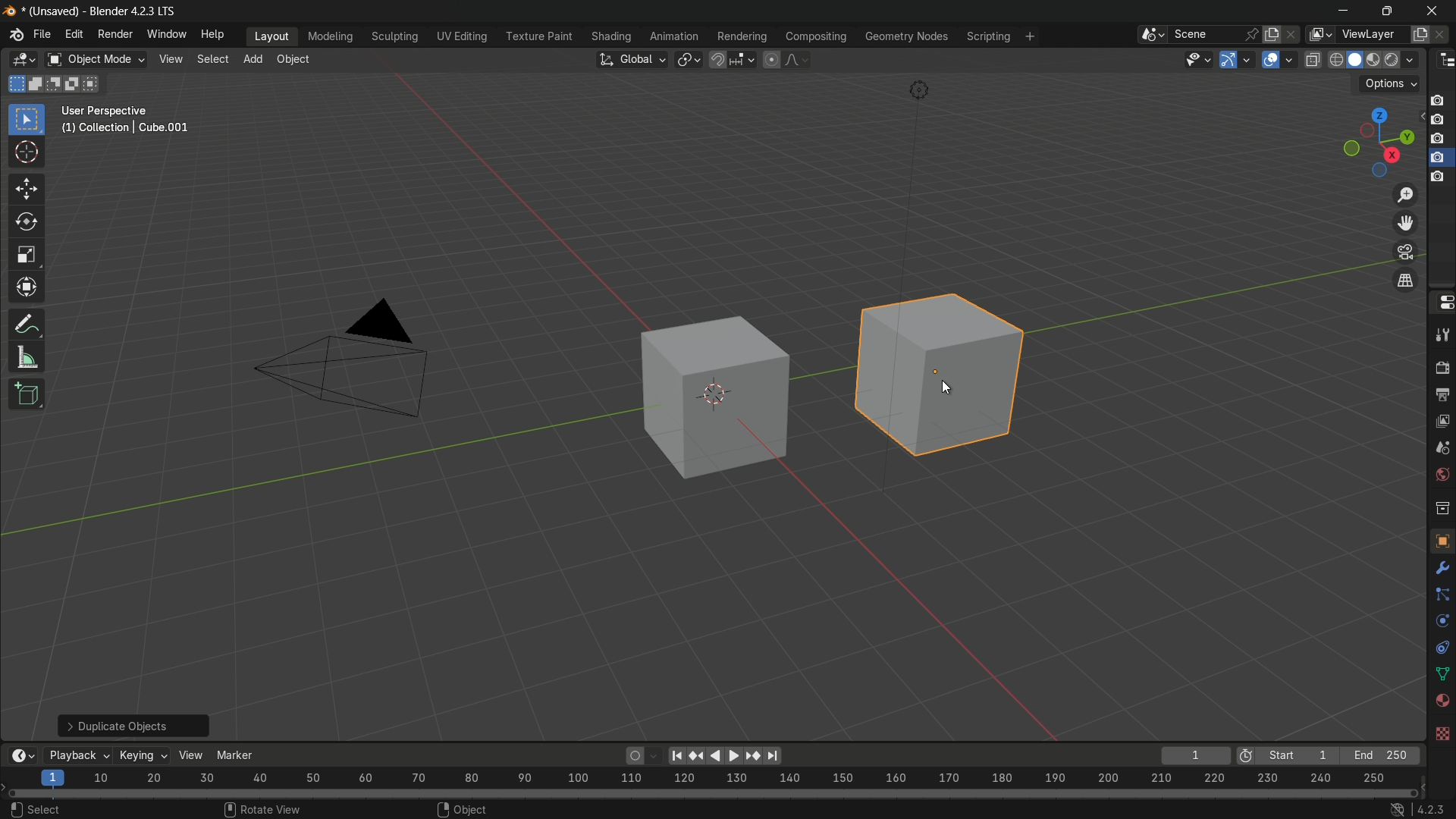  What do you see at coordinates (1374, 34) in the screenshot?
I see `view layer name` at bounding box center [1374, 34].